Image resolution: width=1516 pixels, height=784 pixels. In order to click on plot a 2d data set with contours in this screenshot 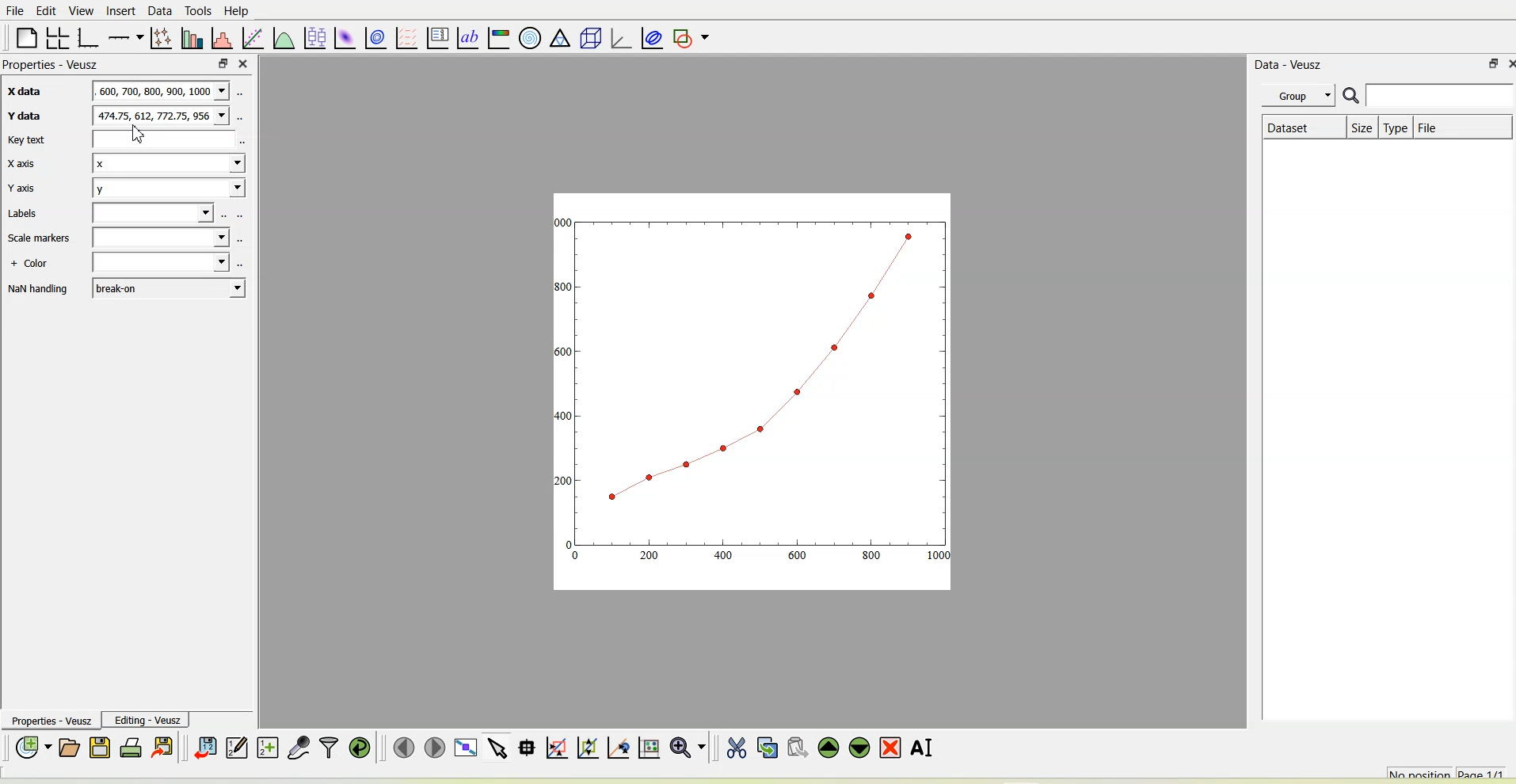, I will do `click(375, 38)`.